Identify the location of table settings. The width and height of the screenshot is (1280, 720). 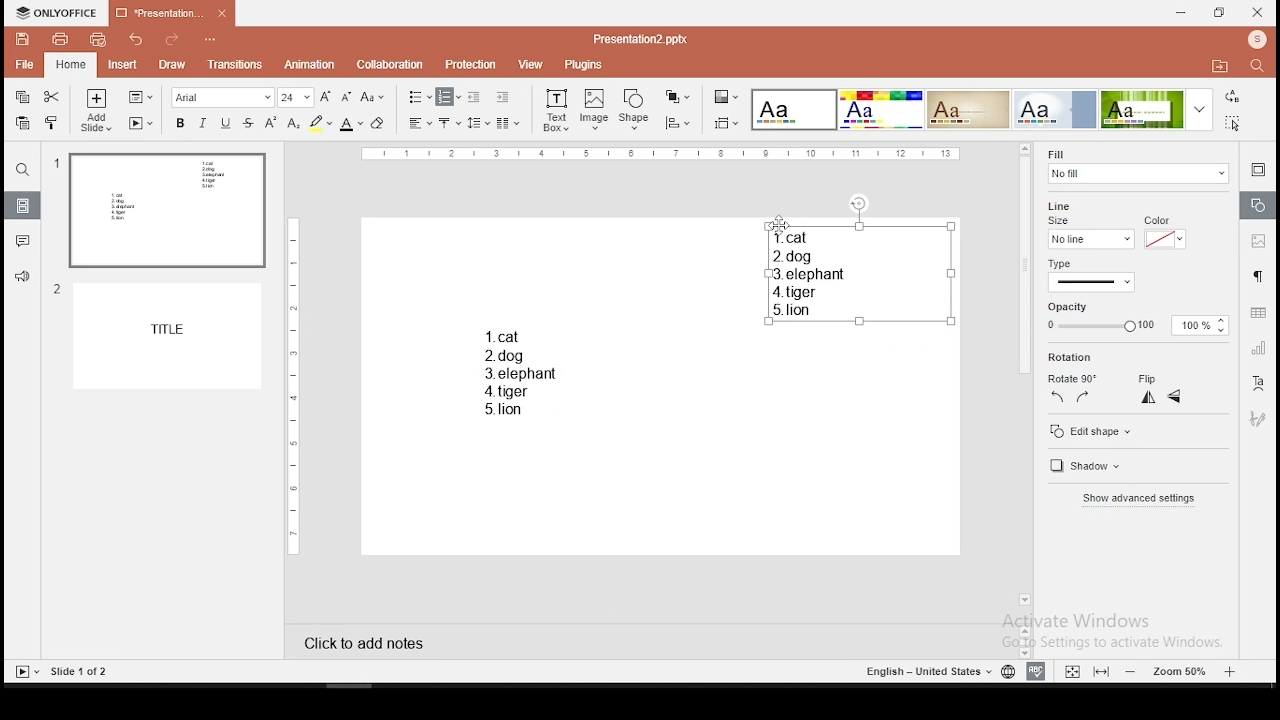
(1256, 313).